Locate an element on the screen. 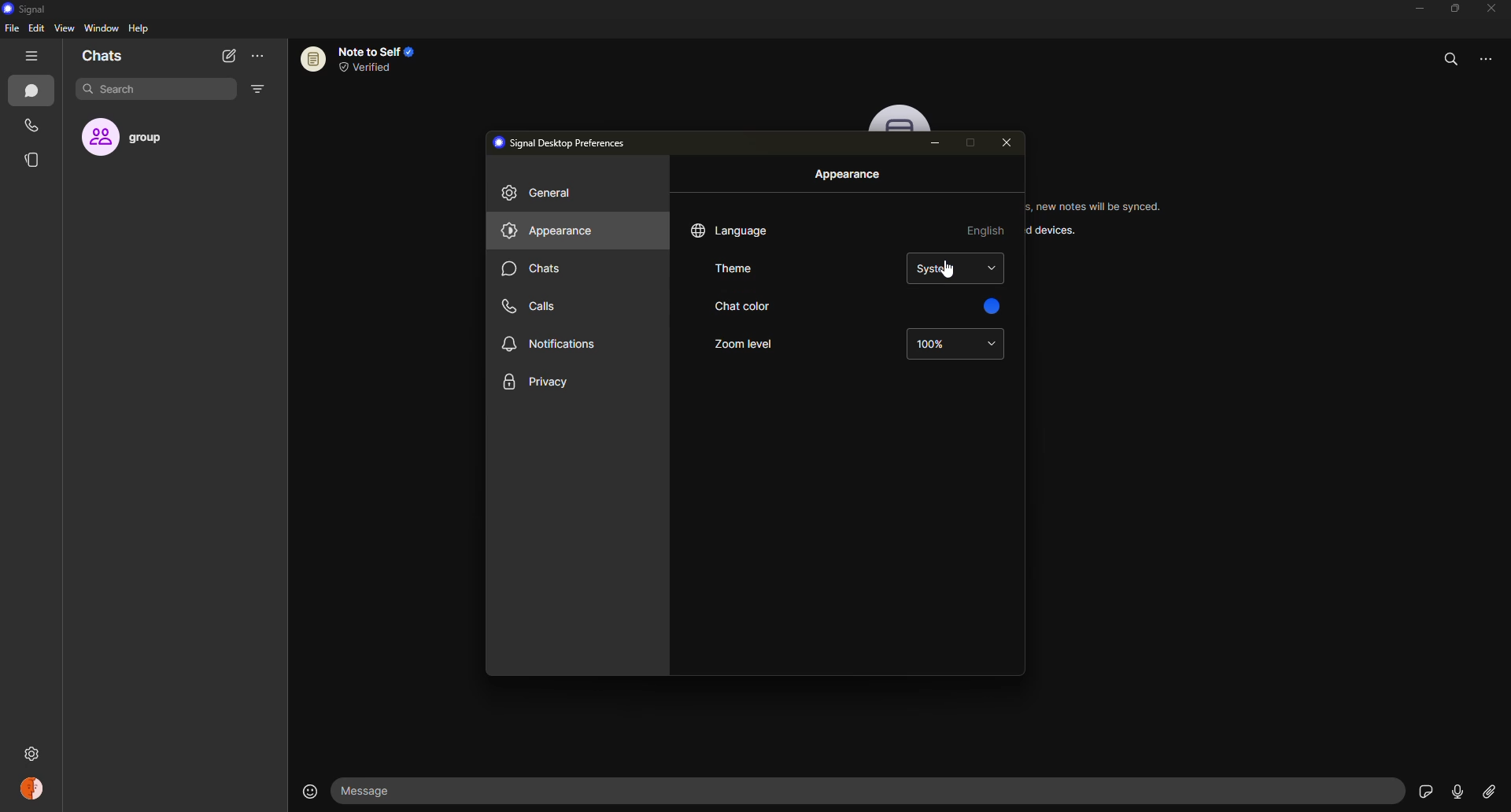 The image size is (1511, 812). settings is located at coordinates (31, 754).